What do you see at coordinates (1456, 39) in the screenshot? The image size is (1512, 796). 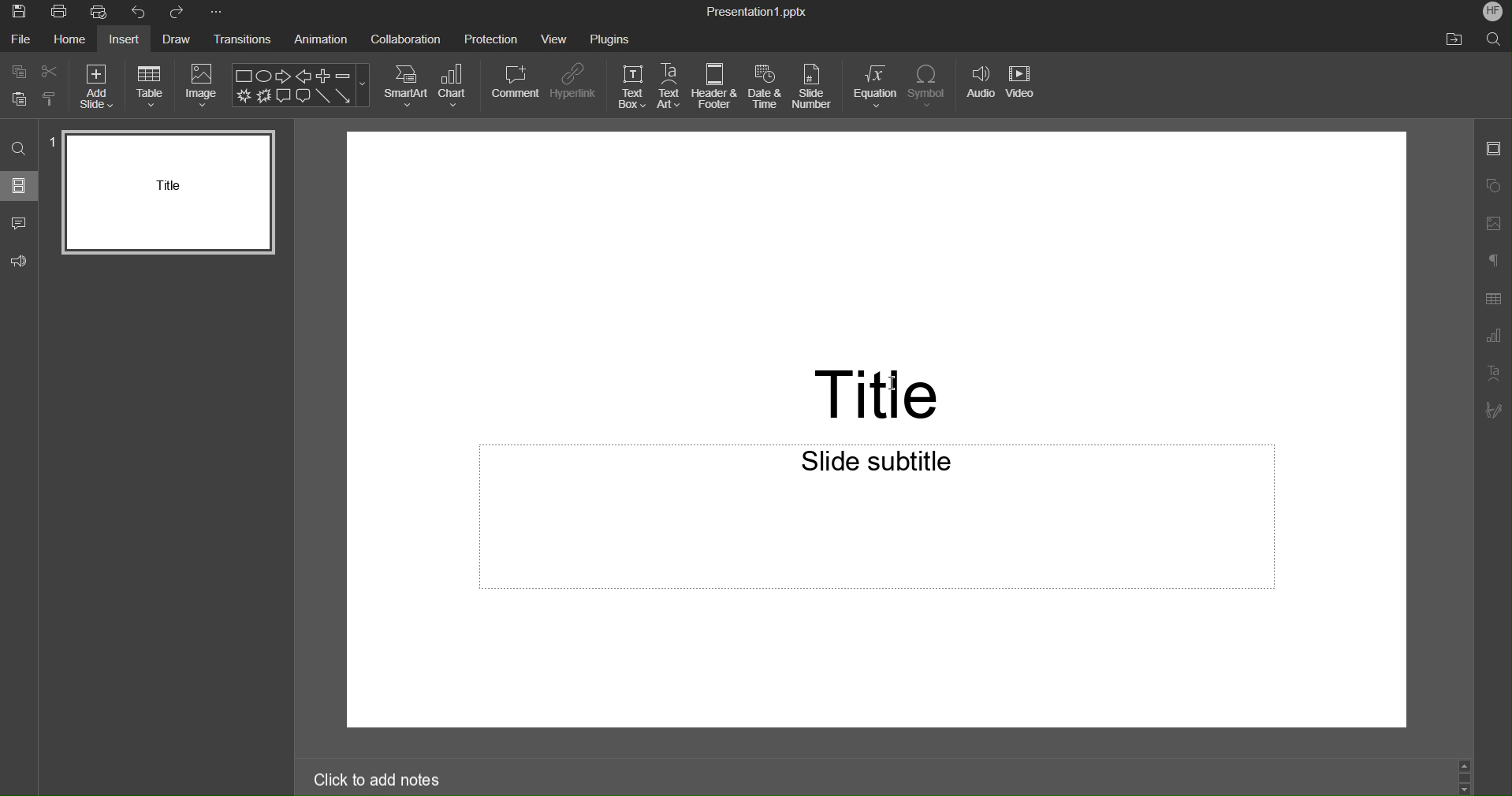 I see `file location` at bounding box center [1456, 39].